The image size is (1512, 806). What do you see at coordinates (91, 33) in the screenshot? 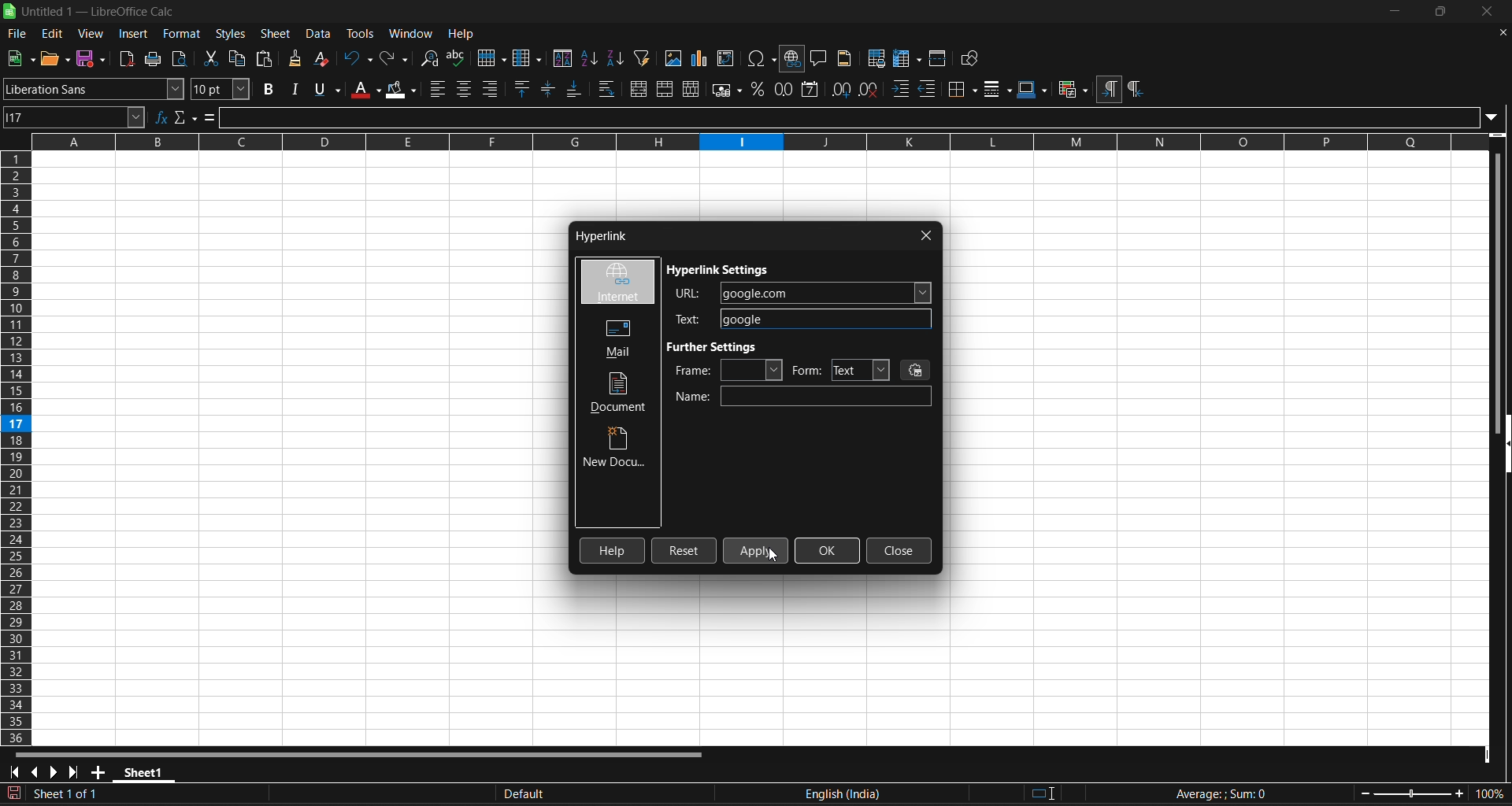
I see `view` at bounding box center [91, 33].